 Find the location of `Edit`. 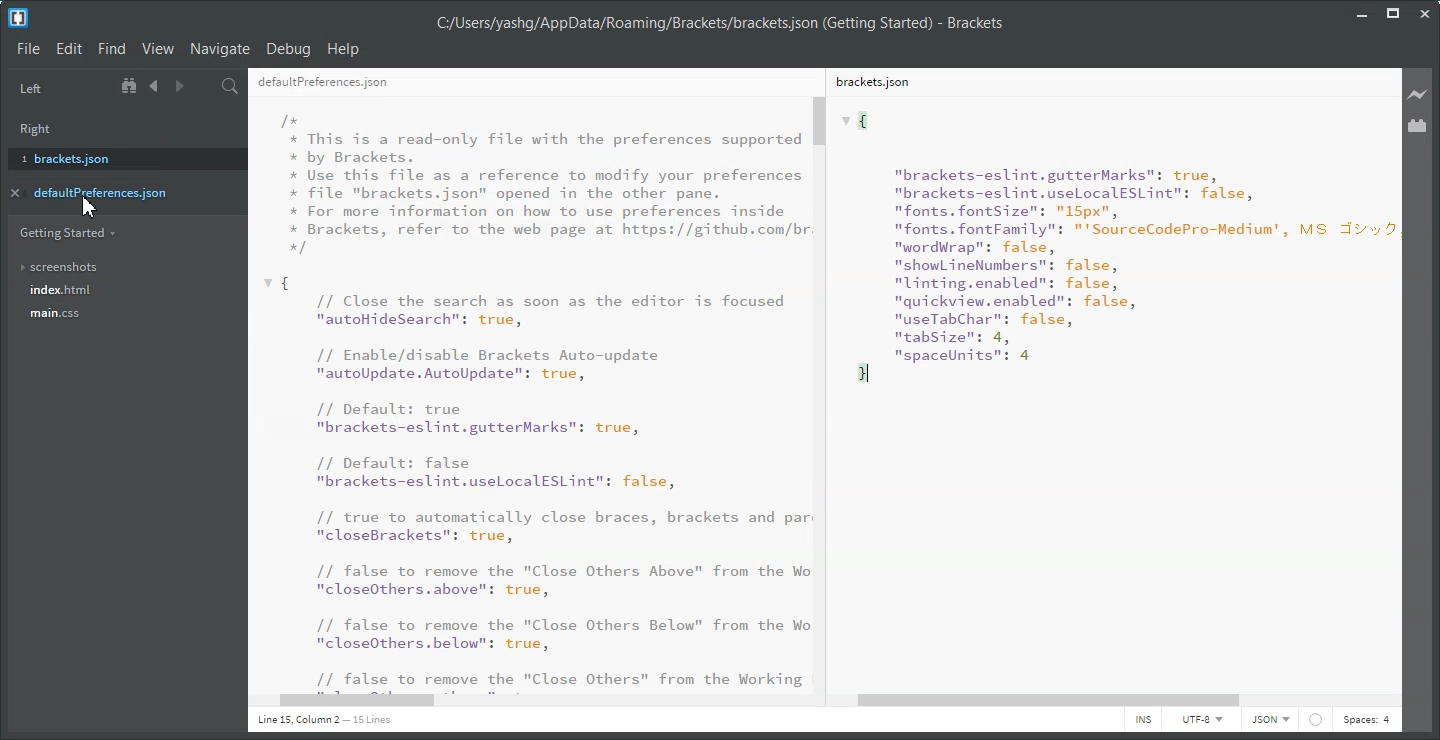

Edit is located at coordinates (70, 49).